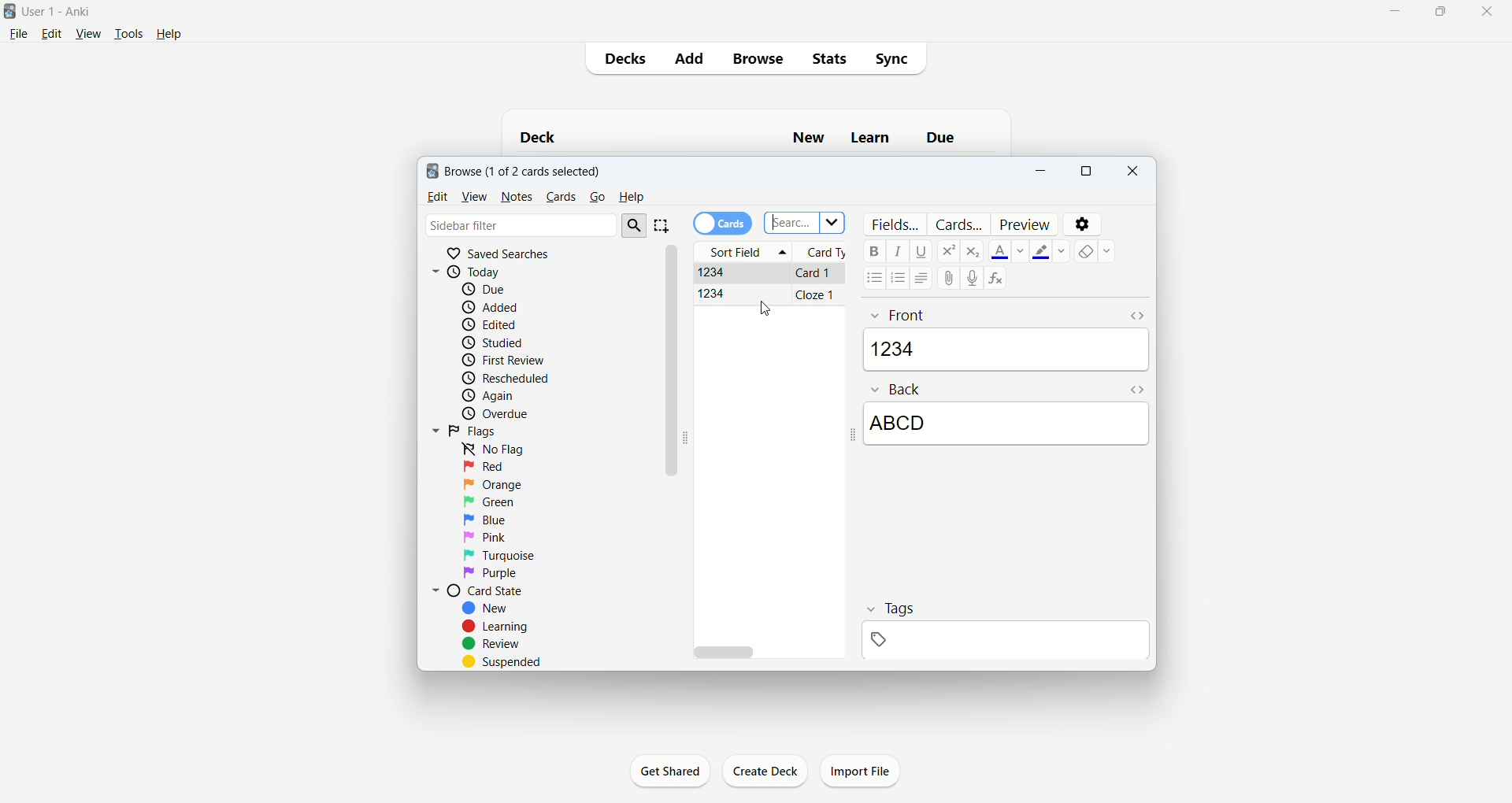 This screenshot has height=803, width=1512. I want to click on learning, so click(500, 629).